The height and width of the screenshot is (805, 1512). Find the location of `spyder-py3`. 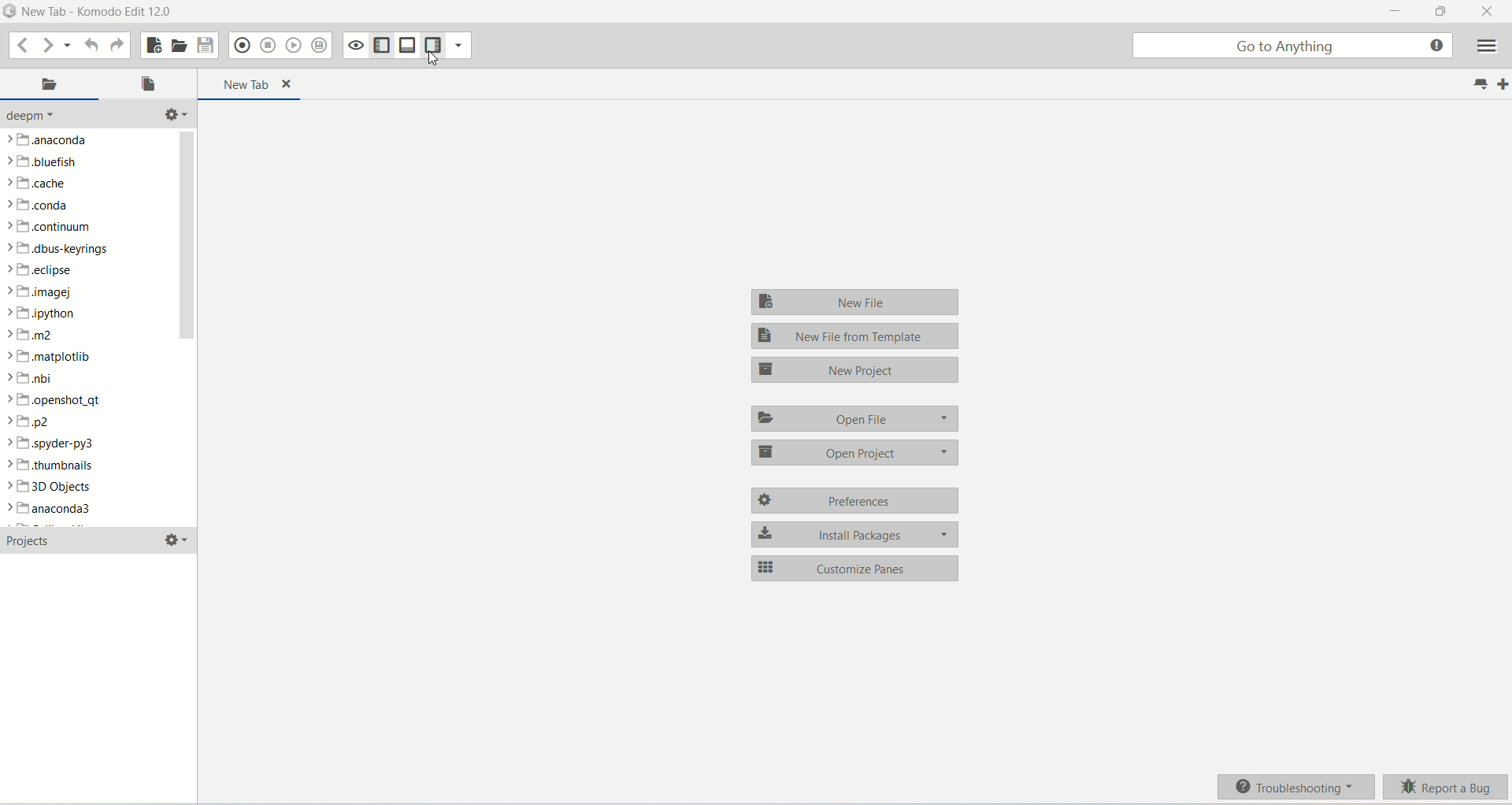

spyder-py3 is located at coordinates (54, 444).